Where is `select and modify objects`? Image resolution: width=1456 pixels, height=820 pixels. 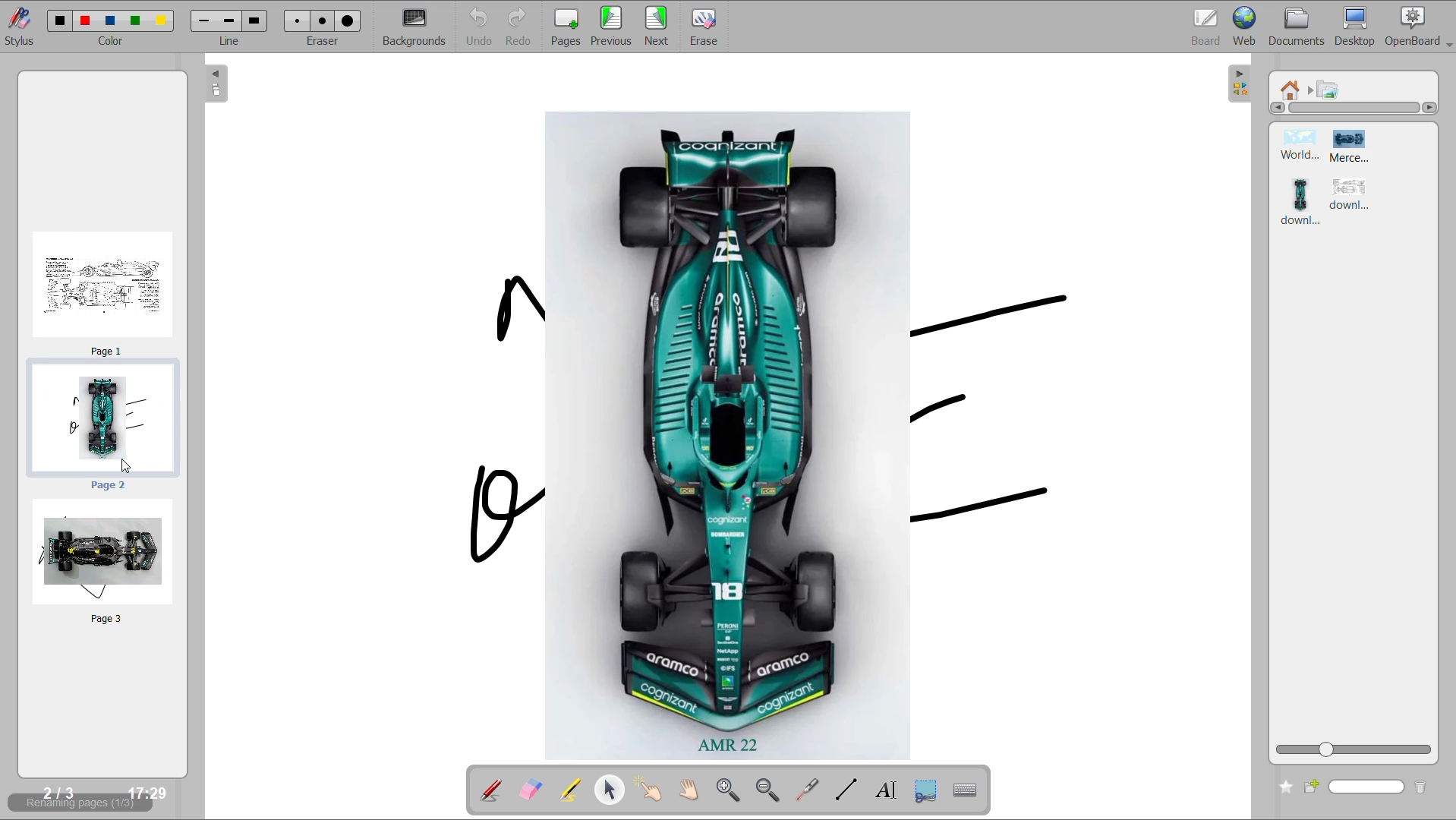
select and modify objects is located at coordinates (612, 789).